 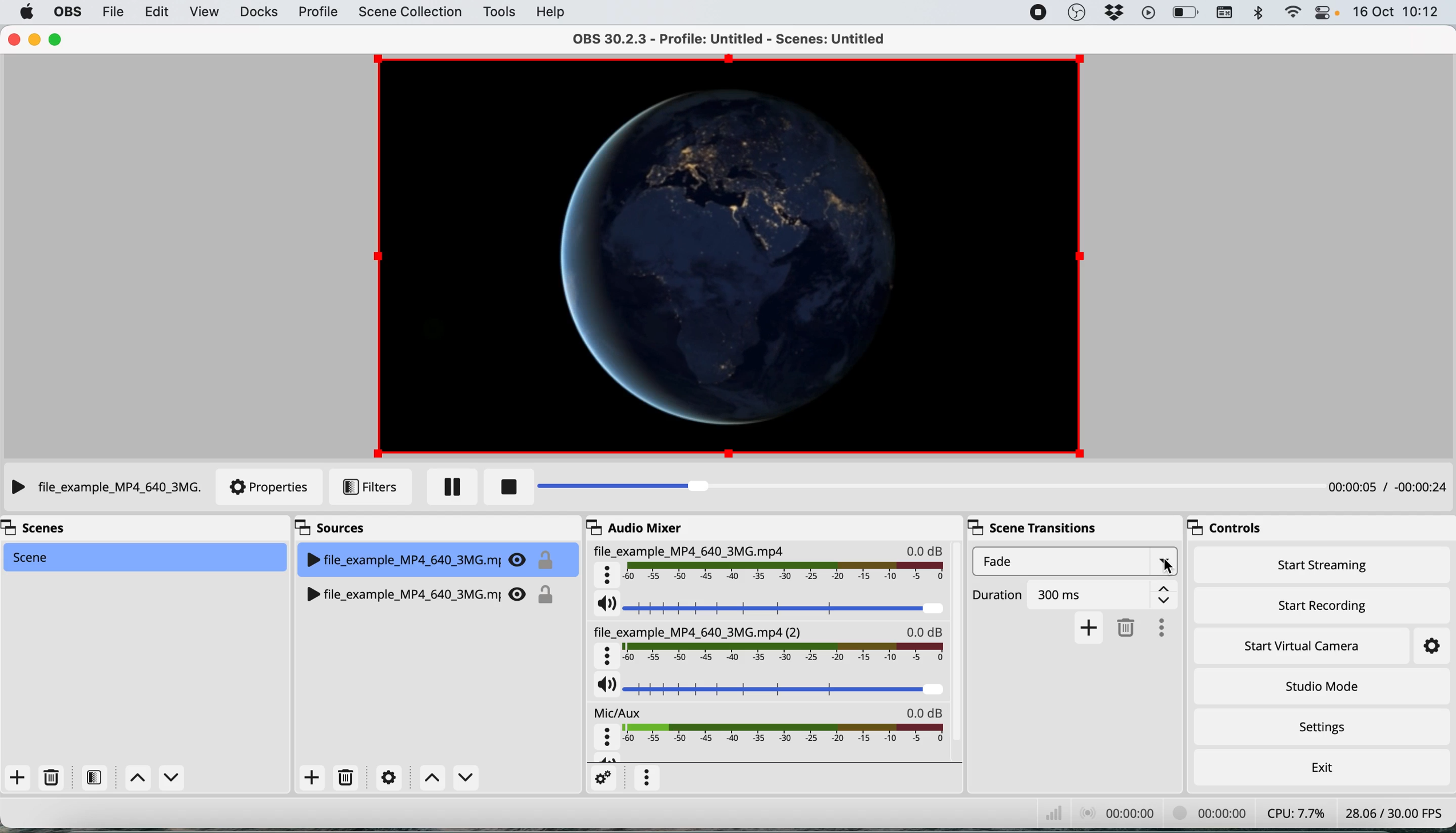 What do you see at coordinates (1037, 13) in the screenshot?
I see `screen recorder` at bounding box center [1037, 13].